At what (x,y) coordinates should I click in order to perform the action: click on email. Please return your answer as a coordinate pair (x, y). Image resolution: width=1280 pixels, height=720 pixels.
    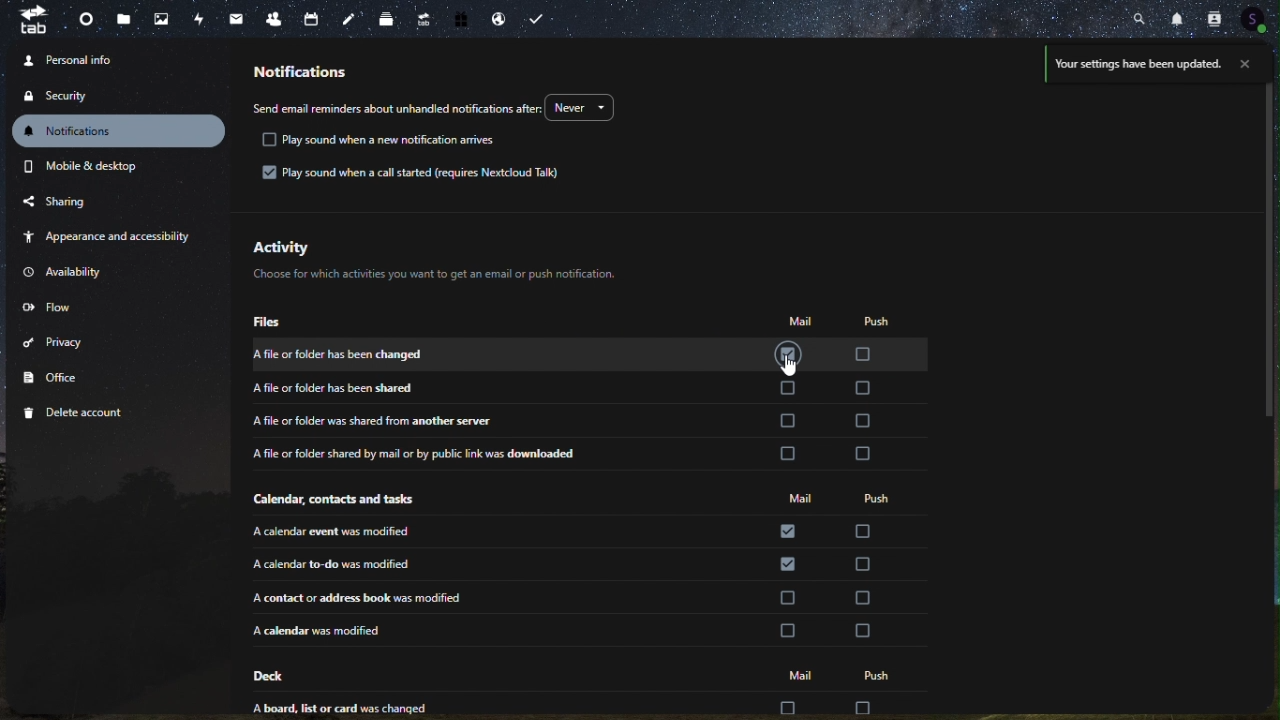
    Looking at the image, I should click on (234, 17).